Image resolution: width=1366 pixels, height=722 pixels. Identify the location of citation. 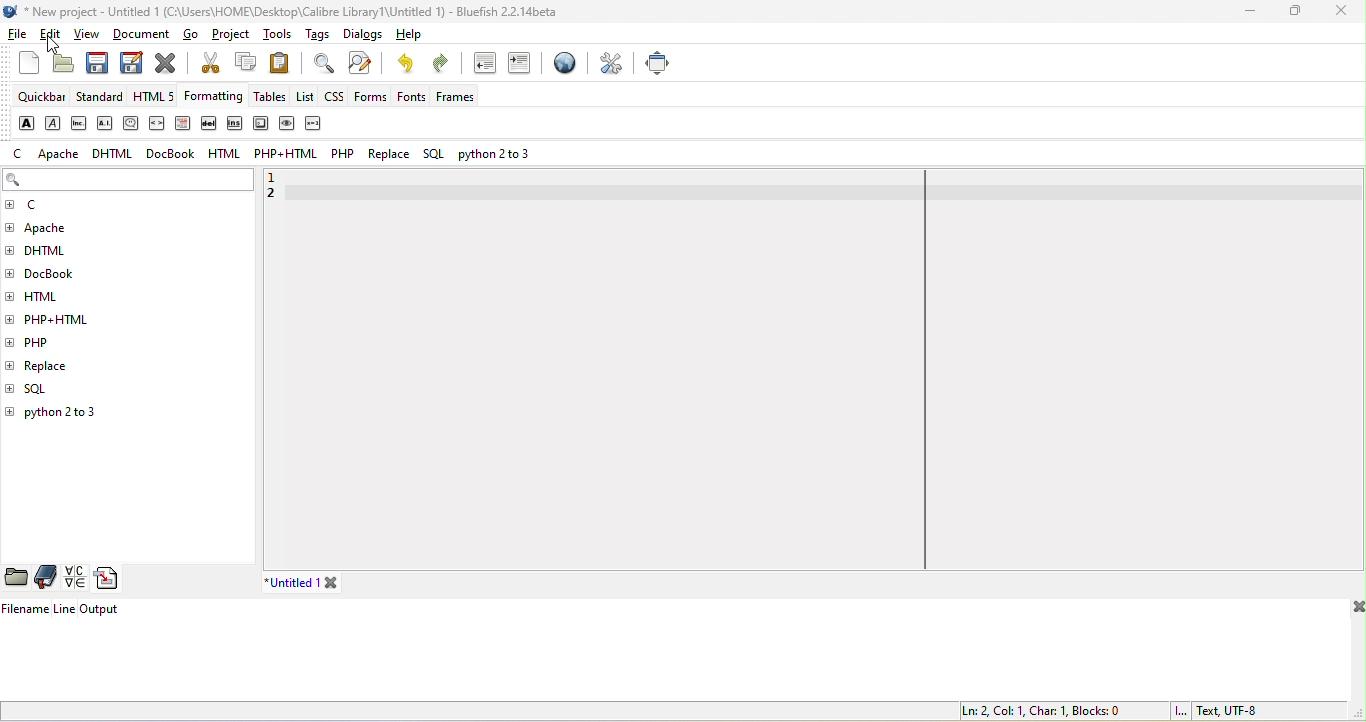
(131, 124).